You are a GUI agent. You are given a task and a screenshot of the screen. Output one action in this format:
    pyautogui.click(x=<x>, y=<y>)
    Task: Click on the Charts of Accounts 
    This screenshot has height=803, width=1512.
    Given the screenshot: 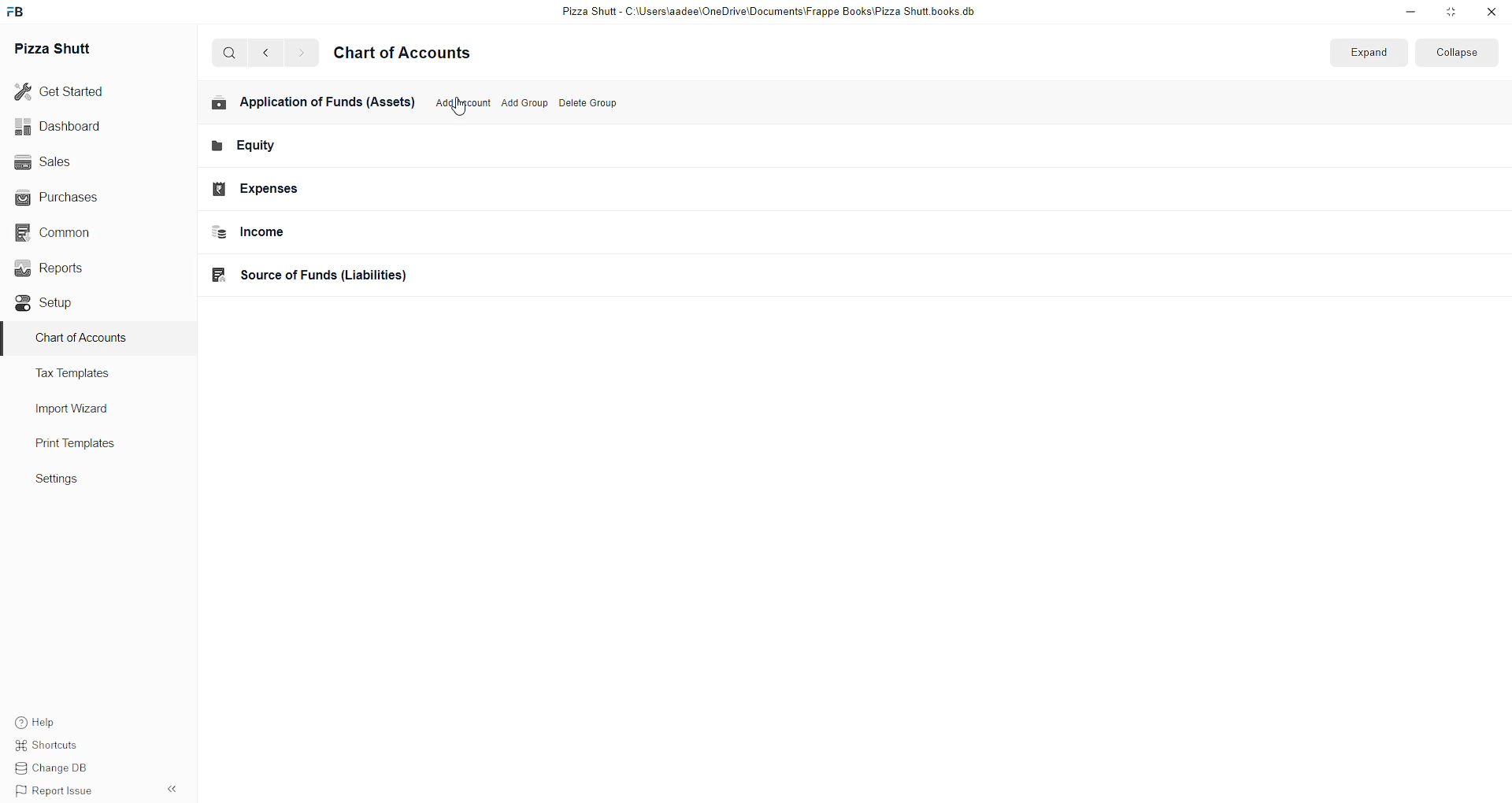 What is the action you would take?
    pyautogui.click(x=83, y=342)
    